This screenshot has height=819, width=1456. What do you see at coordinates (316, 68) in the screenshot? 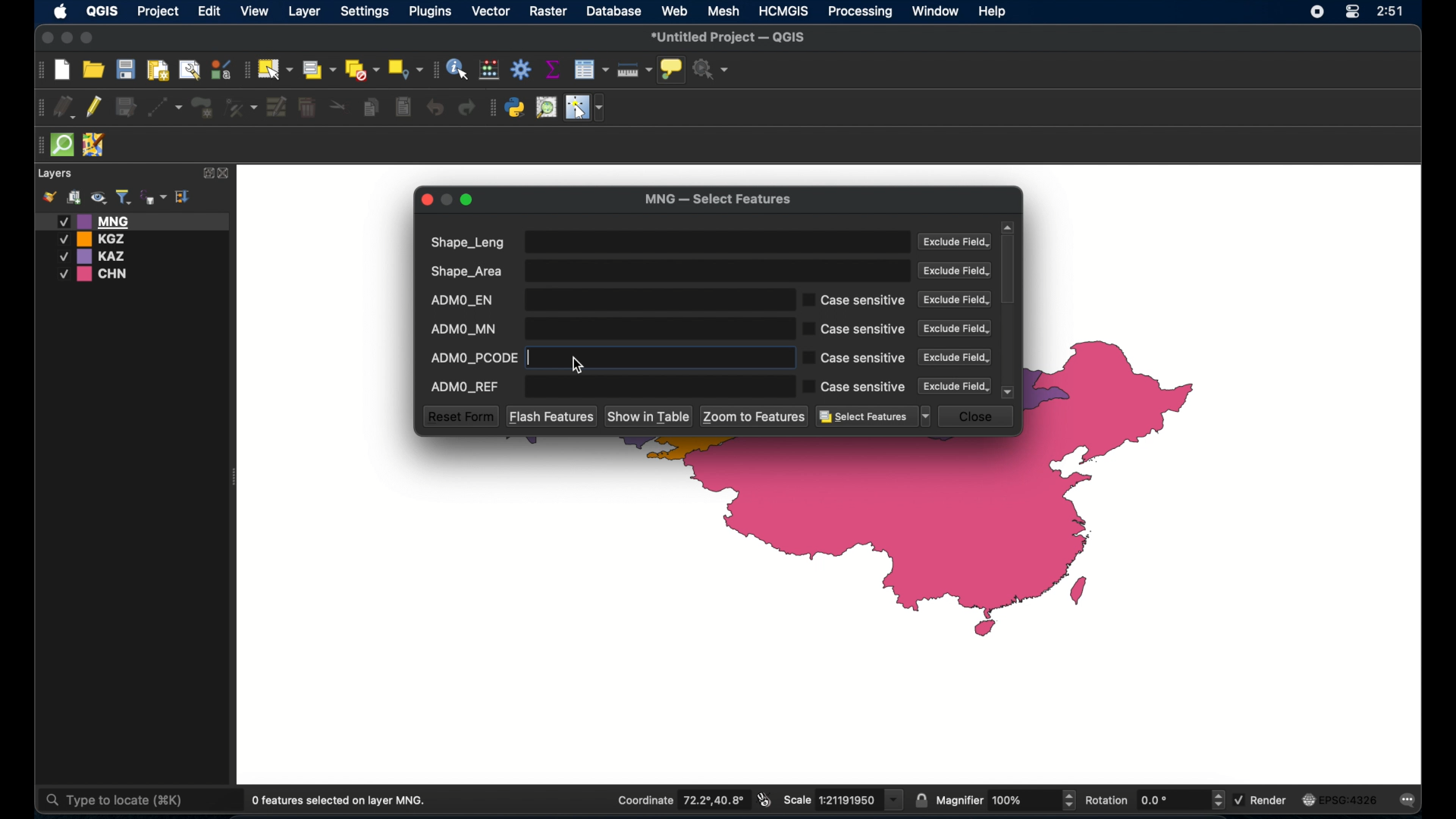
I see `select by area or single click` at bounding box center [316, 68].